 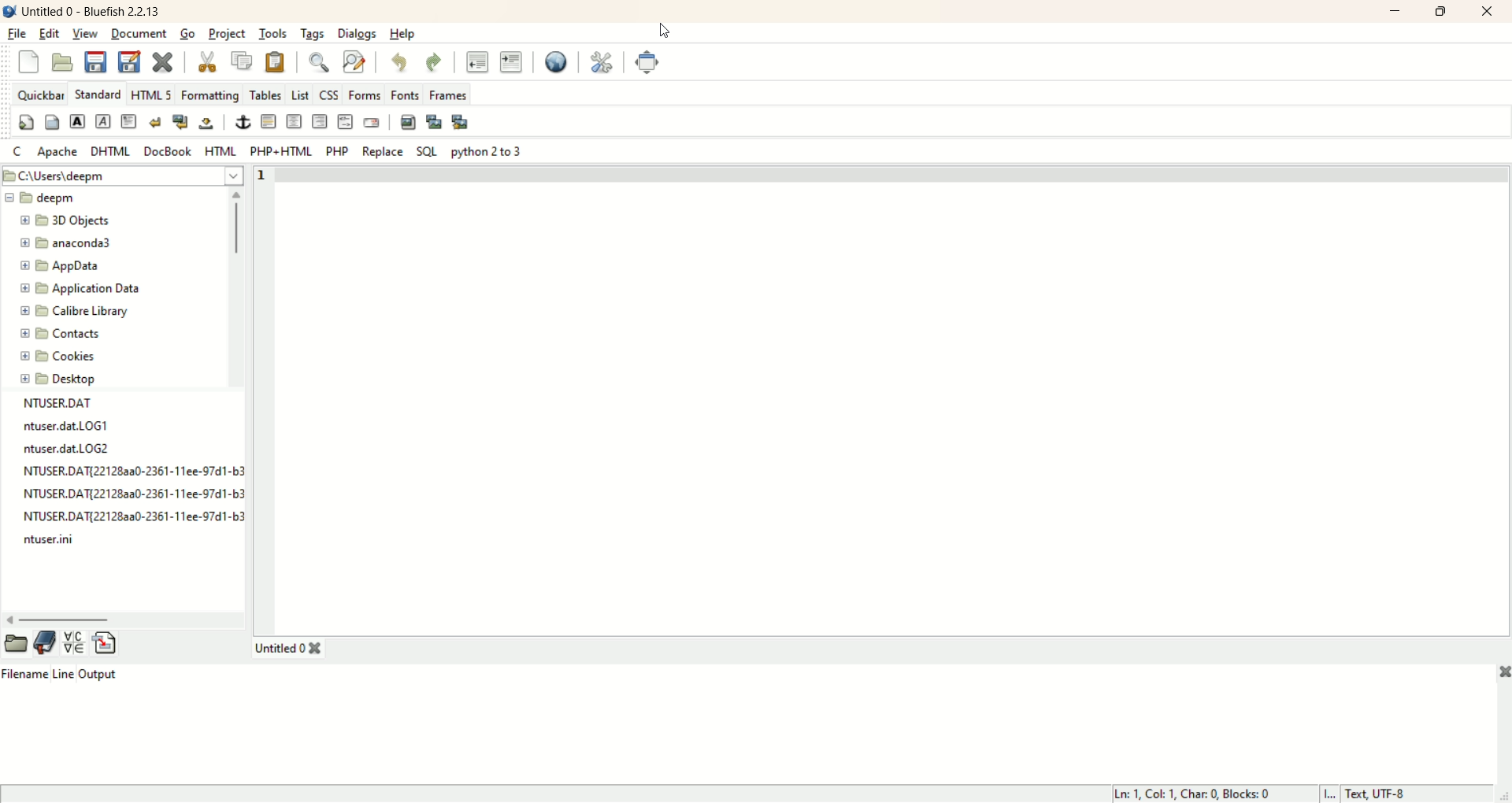 I want to click on formatting, so click(x=211, y=94).